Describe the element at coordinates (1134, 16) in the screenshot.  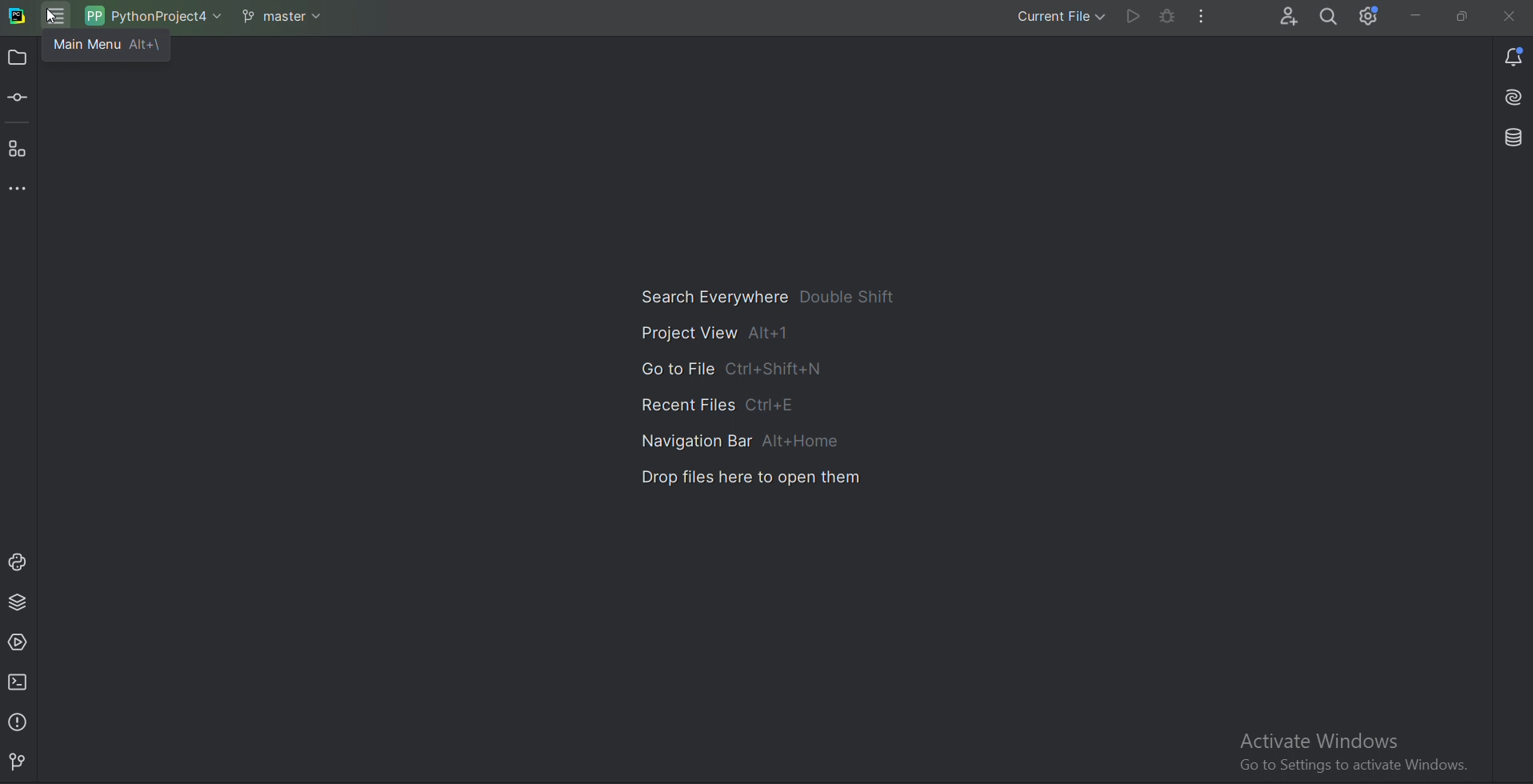
I see `Run` at that location.